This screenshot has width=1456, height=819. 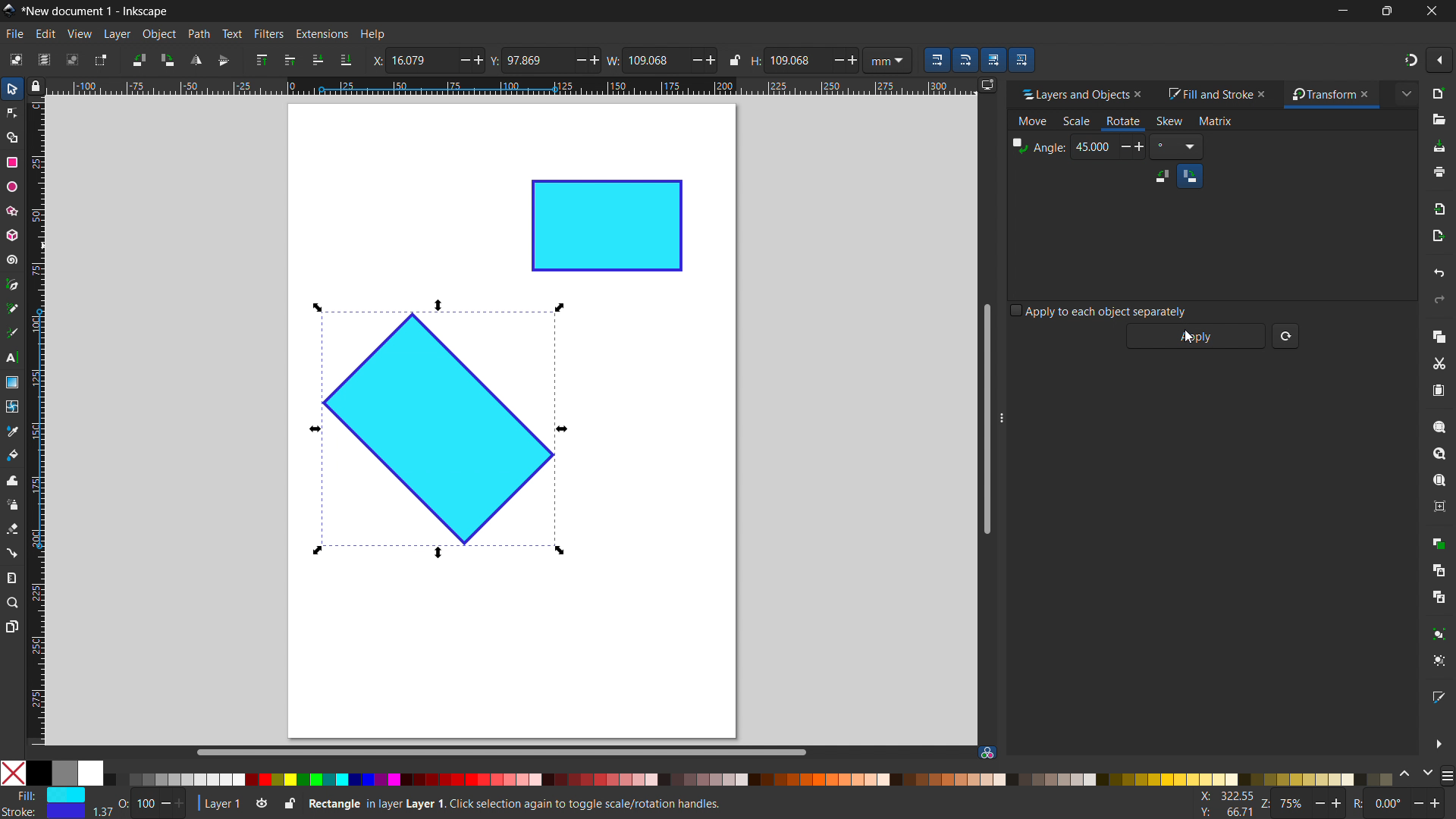 I want to click on duplicate, so click(x=1438, y=542).